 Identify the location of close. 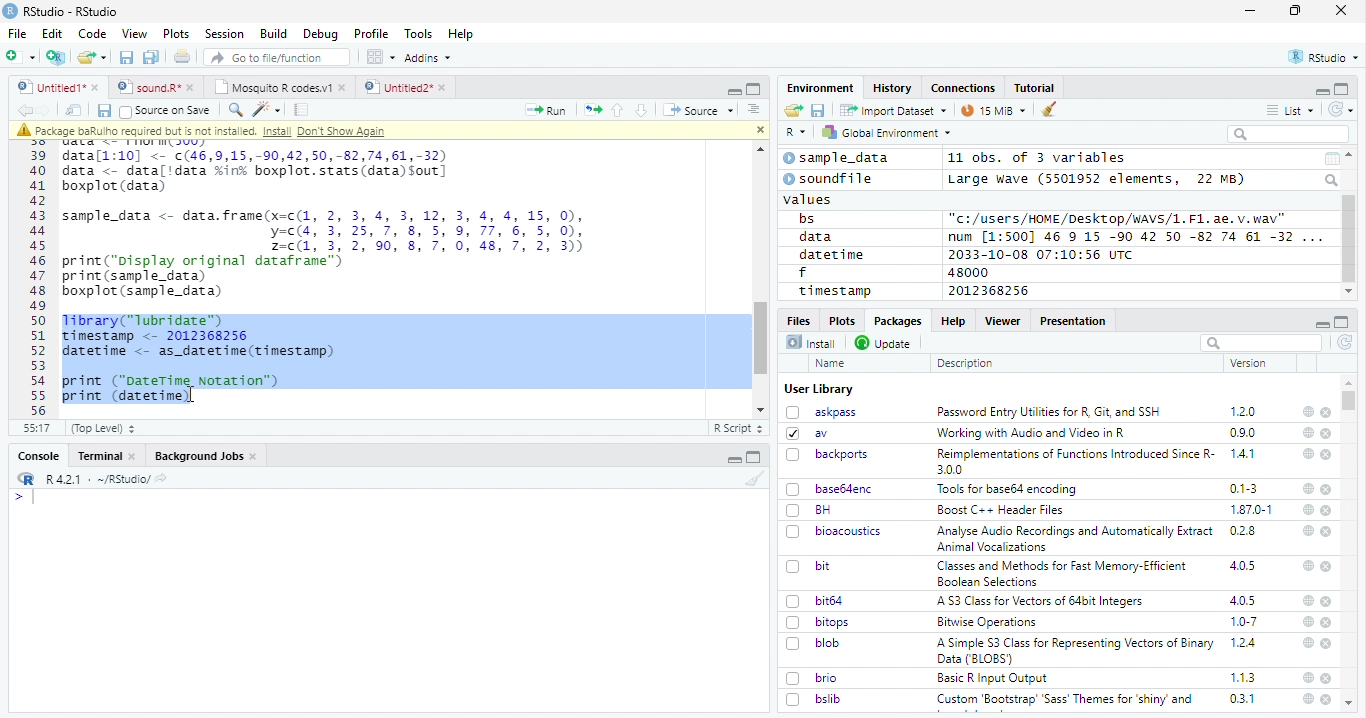
(1327, 623).